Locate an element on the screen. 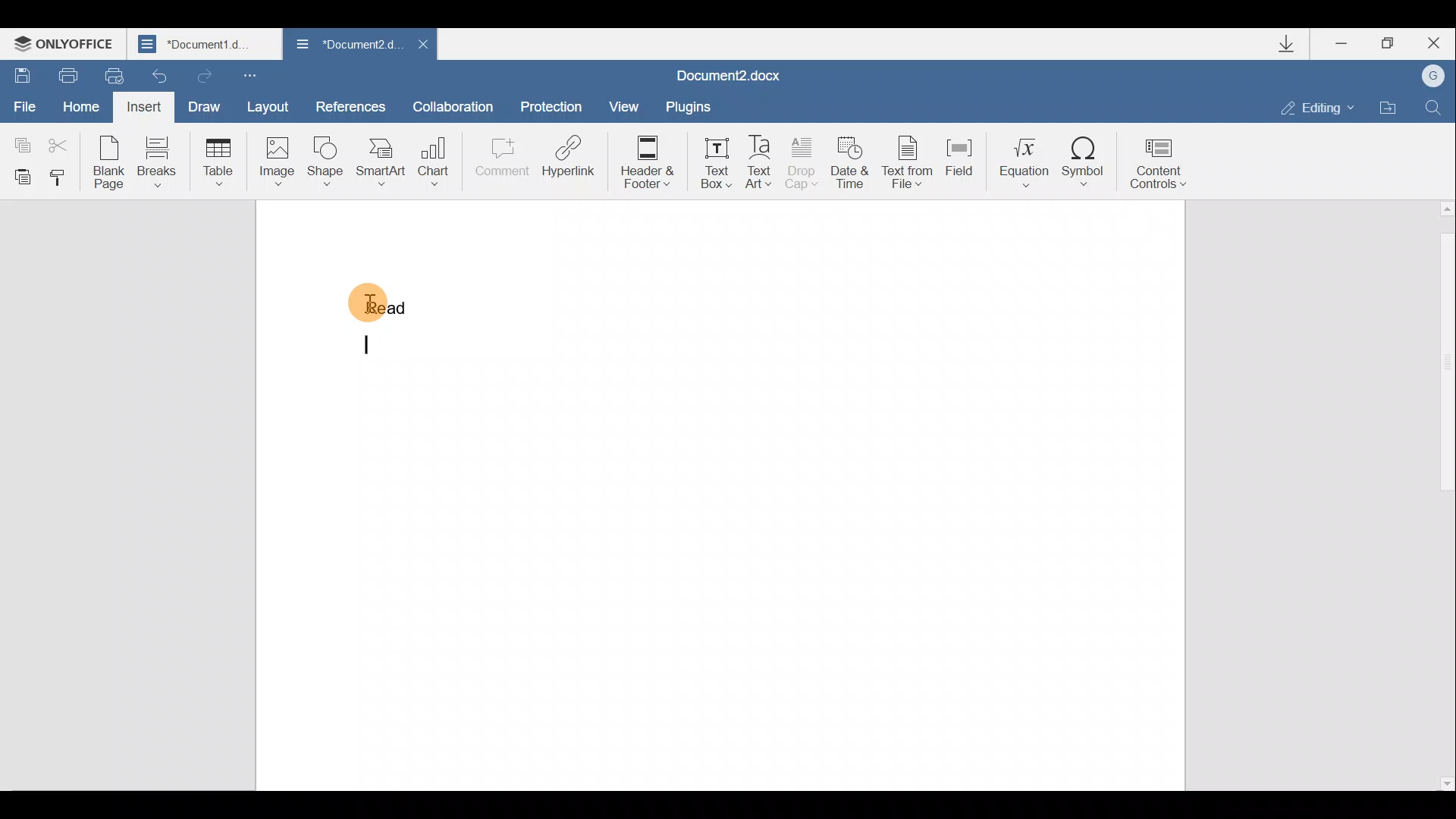 This screenshot has height=819, width=1456. Copy is located at coordinates (20, 137).